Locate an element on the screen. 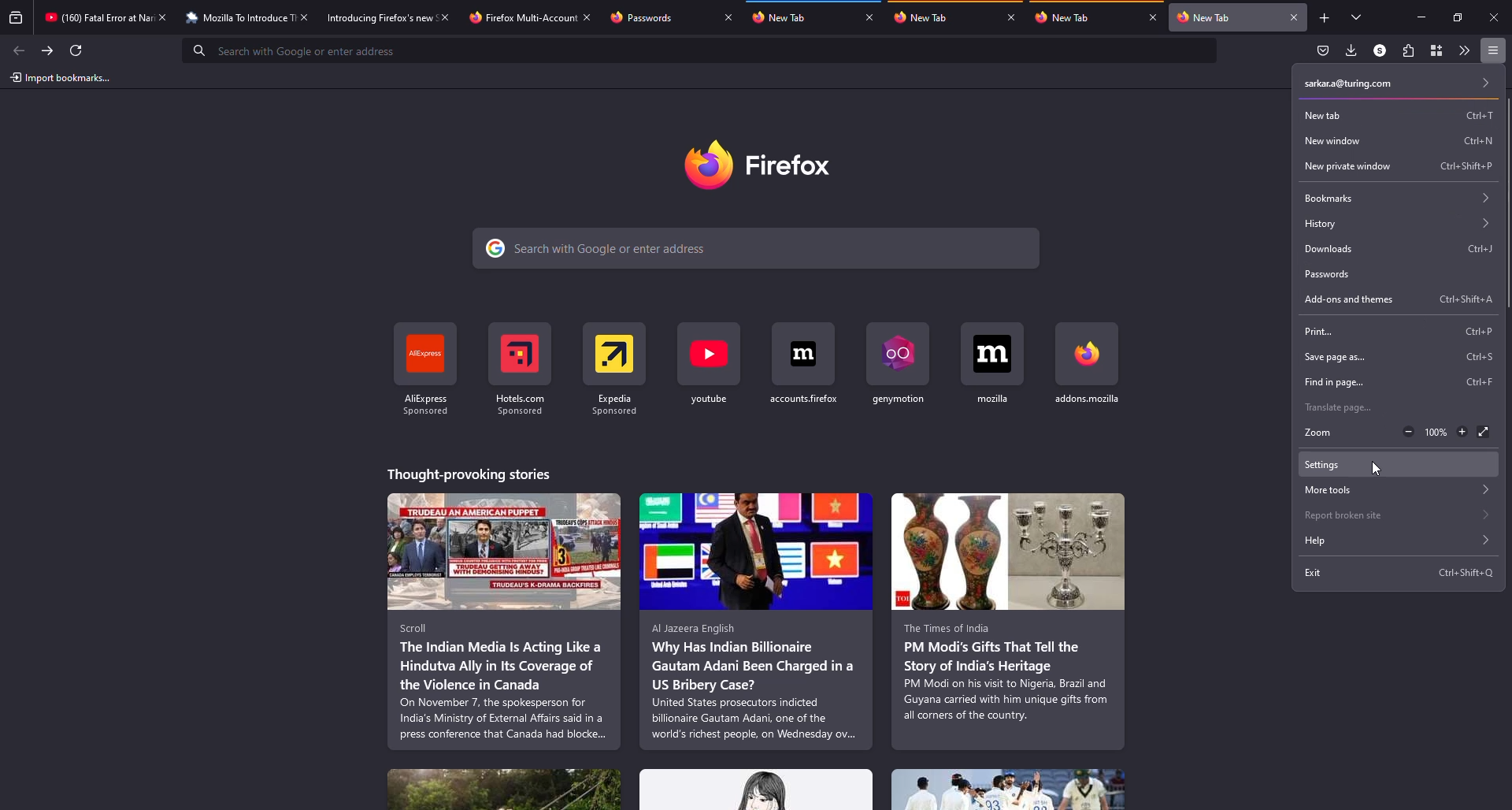  menu is located at coordinates (1492, 50).